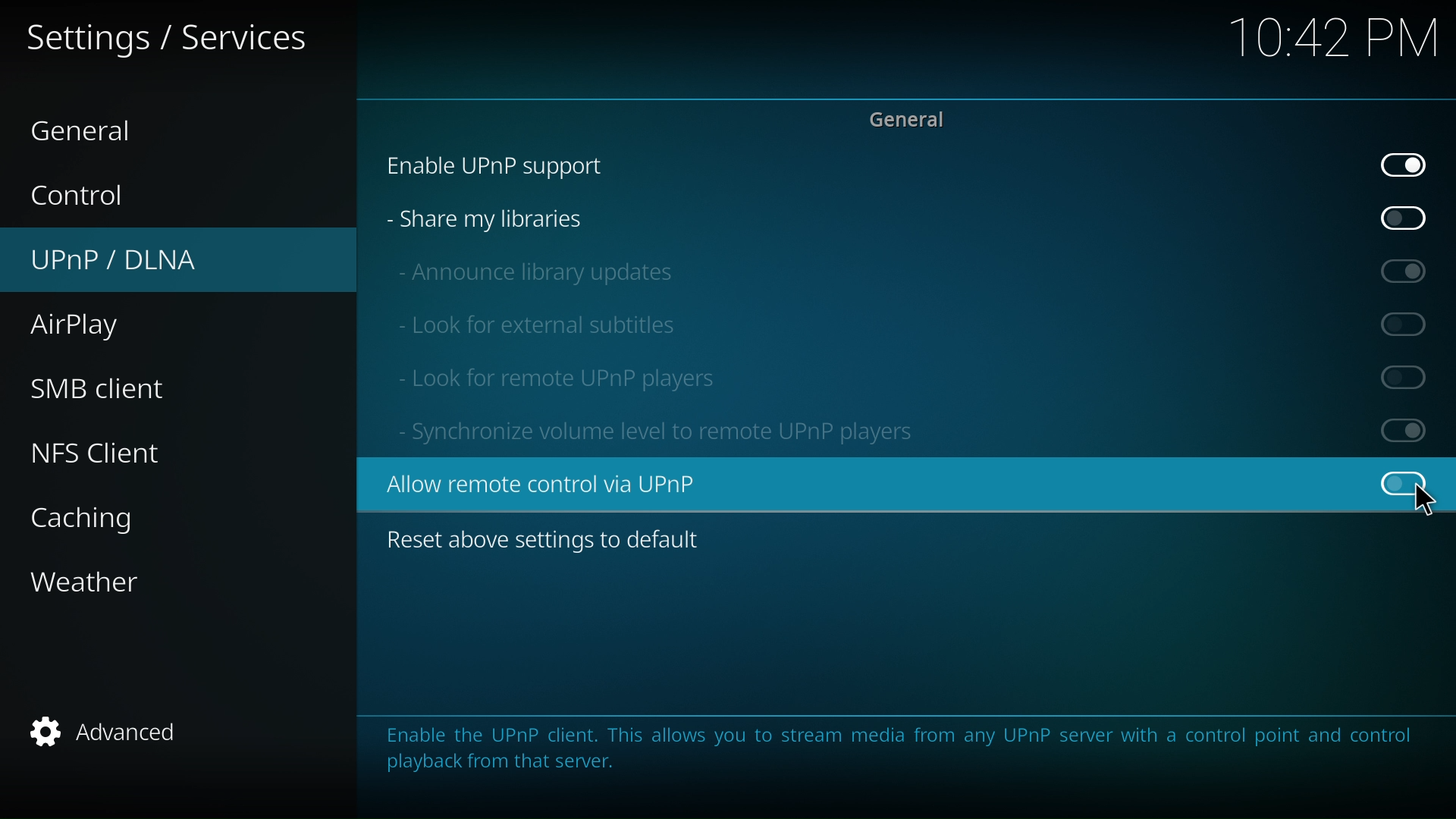 The image size is (1456, 819). What do you see at coordinates (100, 386) in the screenshot?
I see `smb client` at bounding box center [100, 386].